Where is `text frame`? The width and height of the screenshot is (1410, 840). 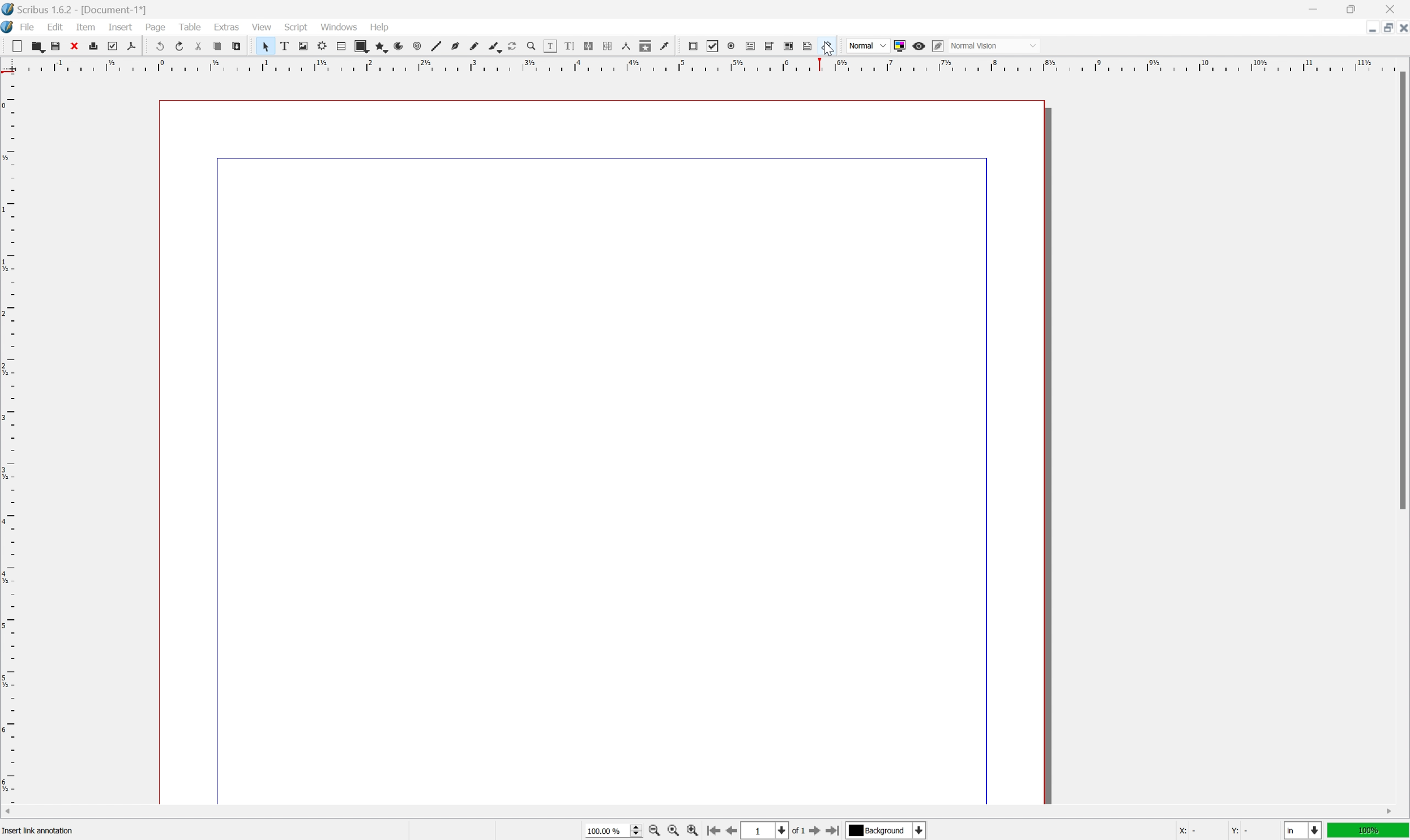
text frame is located at coordinates (284, 46).